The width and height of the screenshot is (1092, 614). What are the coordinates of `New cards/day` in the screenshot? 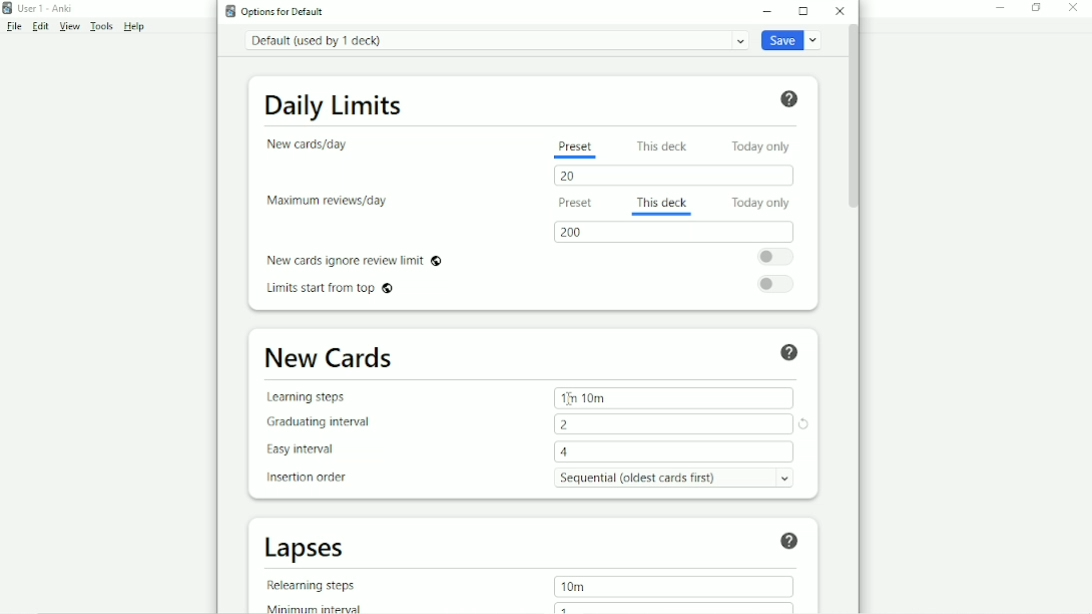 It's located at (308, 144).